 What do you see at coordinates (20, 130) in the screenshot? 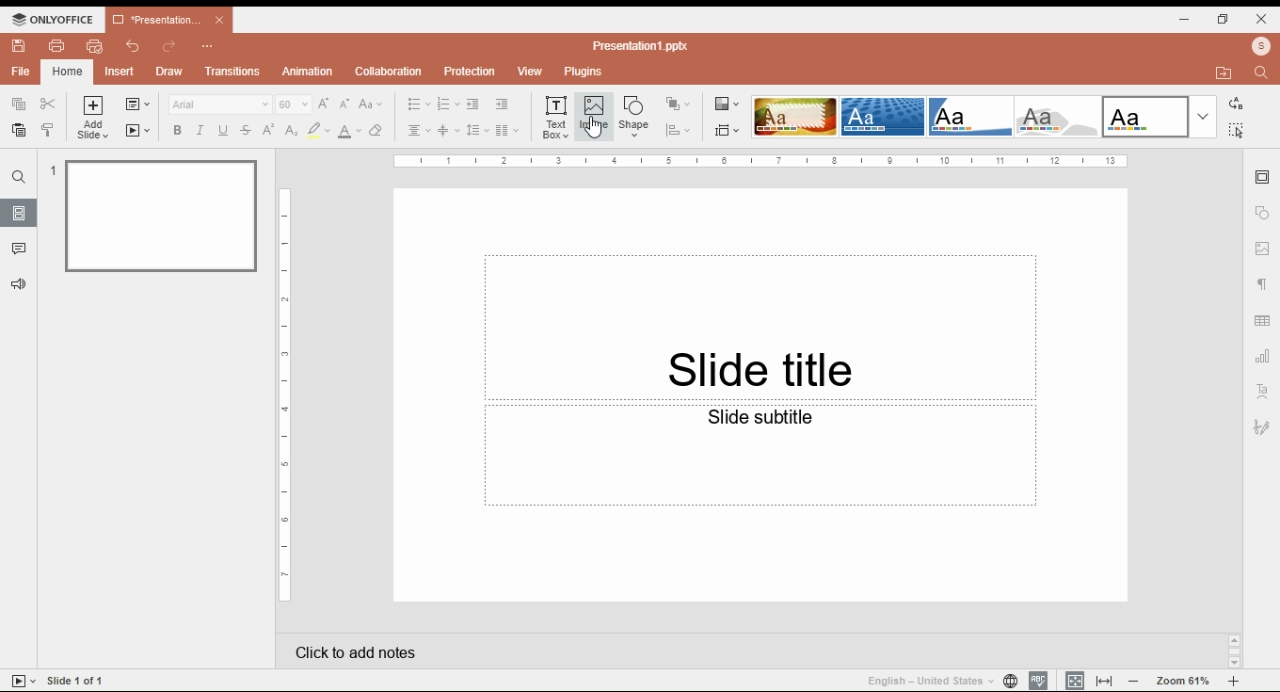
I see `paste` at bounding box center [20, 130].